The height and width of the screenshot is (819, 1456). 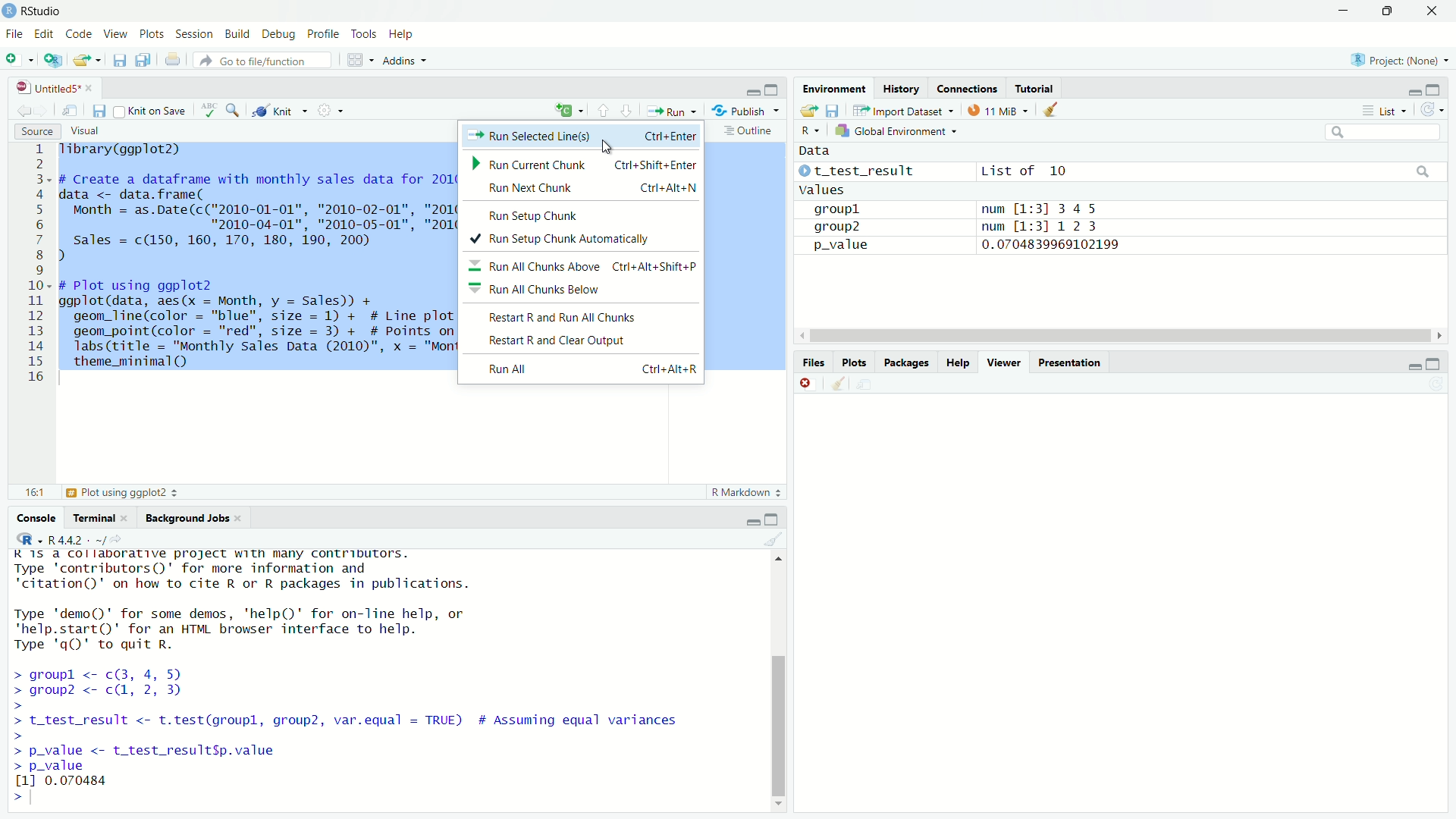 I want to click on RStudio, so click(x=37, y=11).